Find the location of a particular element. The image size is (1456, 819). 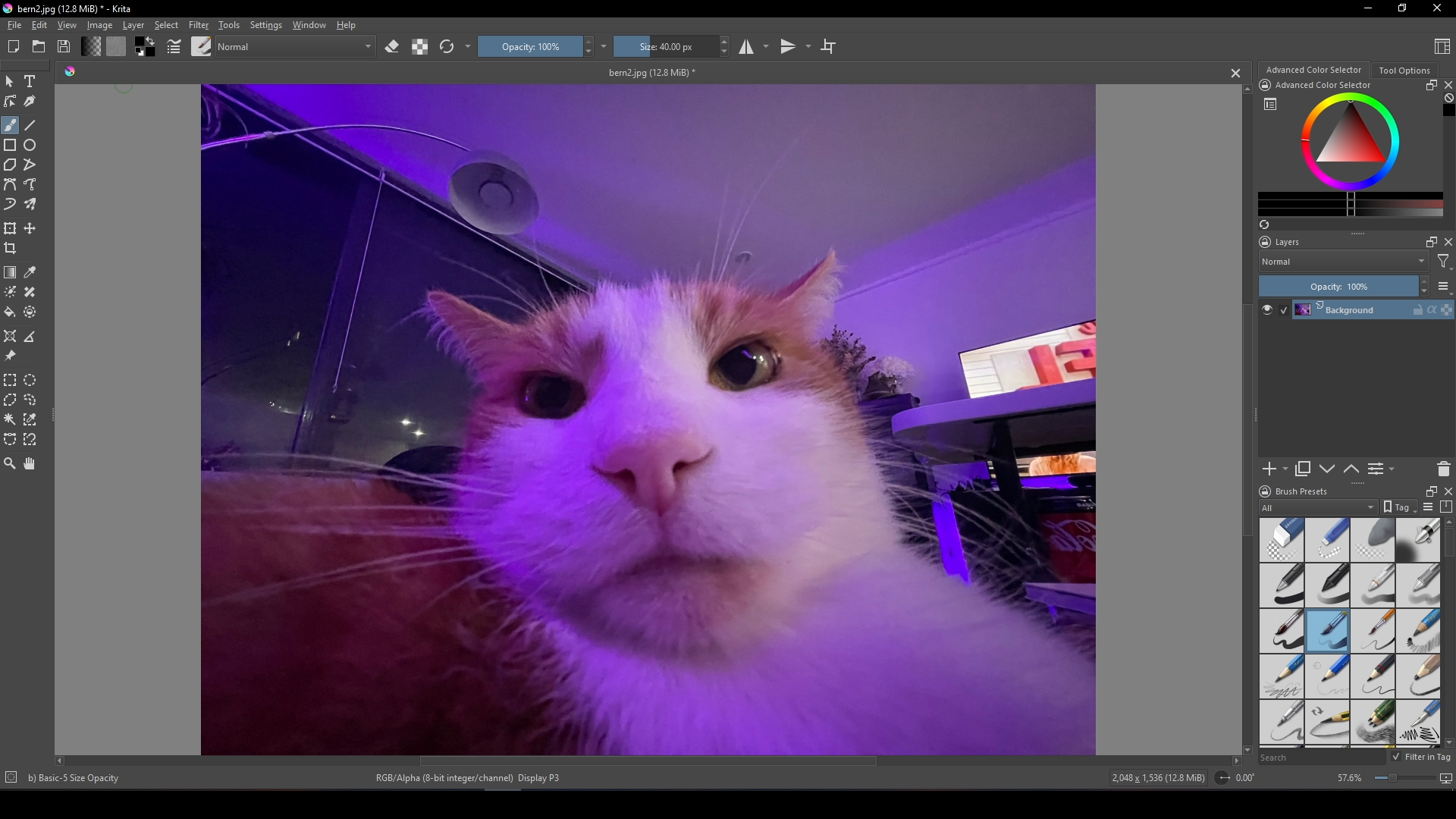

Draw a gradient is located at coordinates (11, 272).